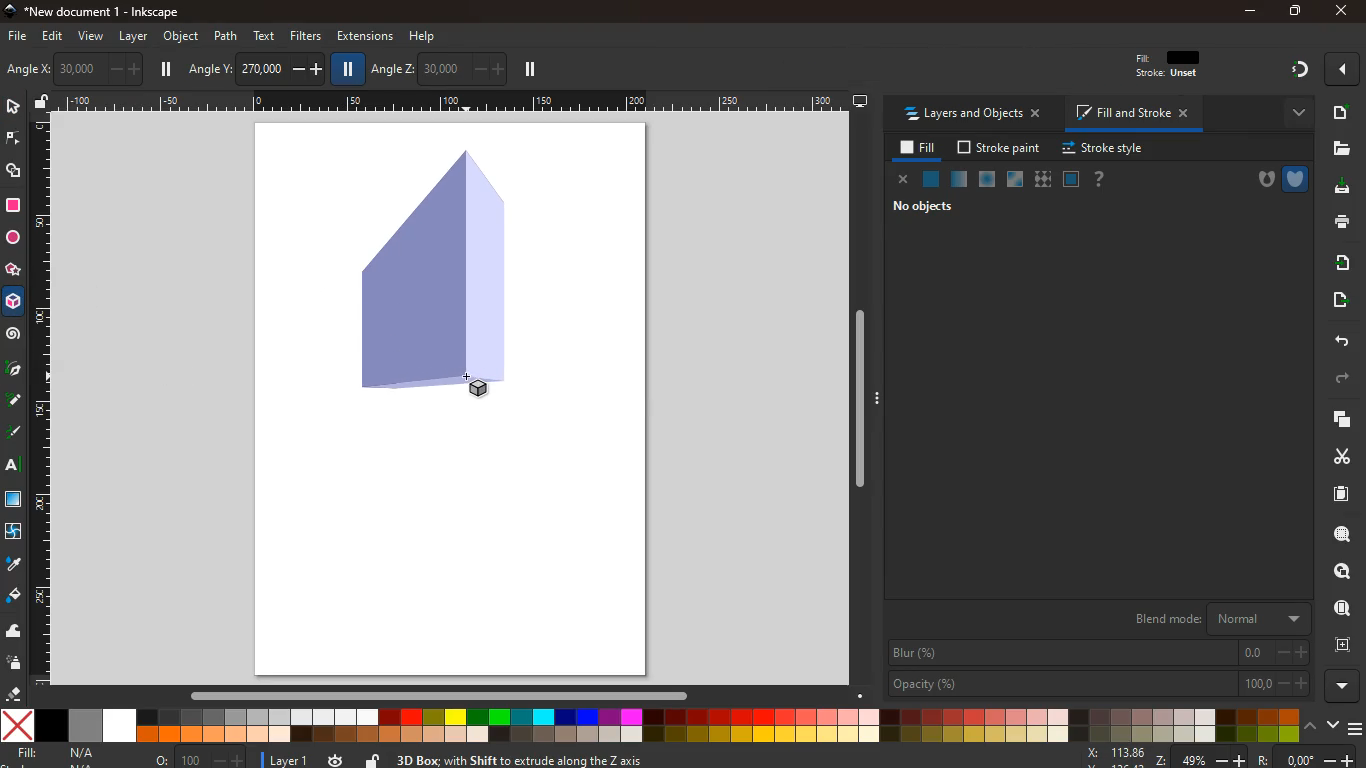 This screenshot has height=768, width=1366. I want to click on layer, so click(285, 758).